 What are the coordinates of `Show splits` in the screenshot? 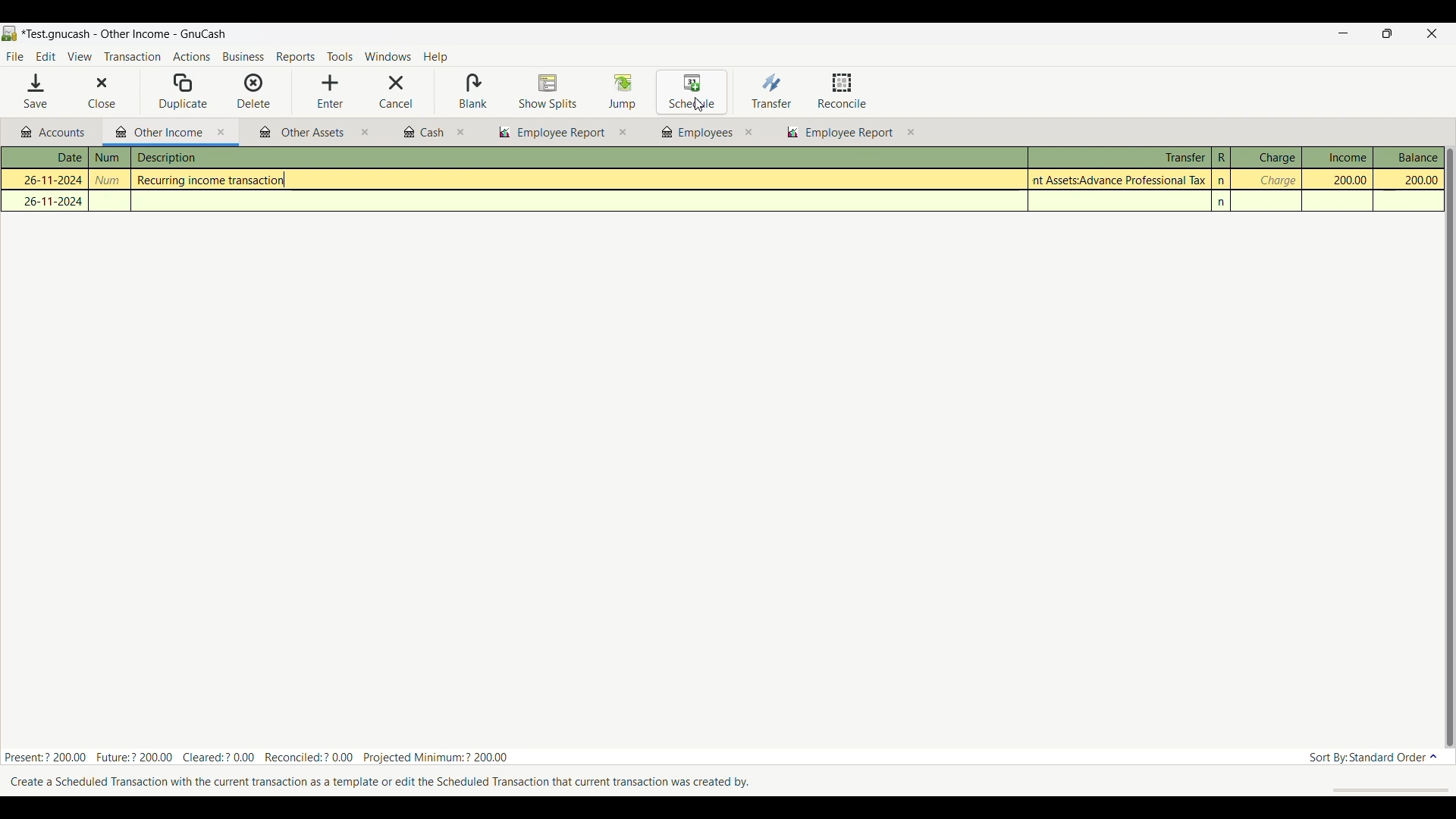 It's located at (548, 93).